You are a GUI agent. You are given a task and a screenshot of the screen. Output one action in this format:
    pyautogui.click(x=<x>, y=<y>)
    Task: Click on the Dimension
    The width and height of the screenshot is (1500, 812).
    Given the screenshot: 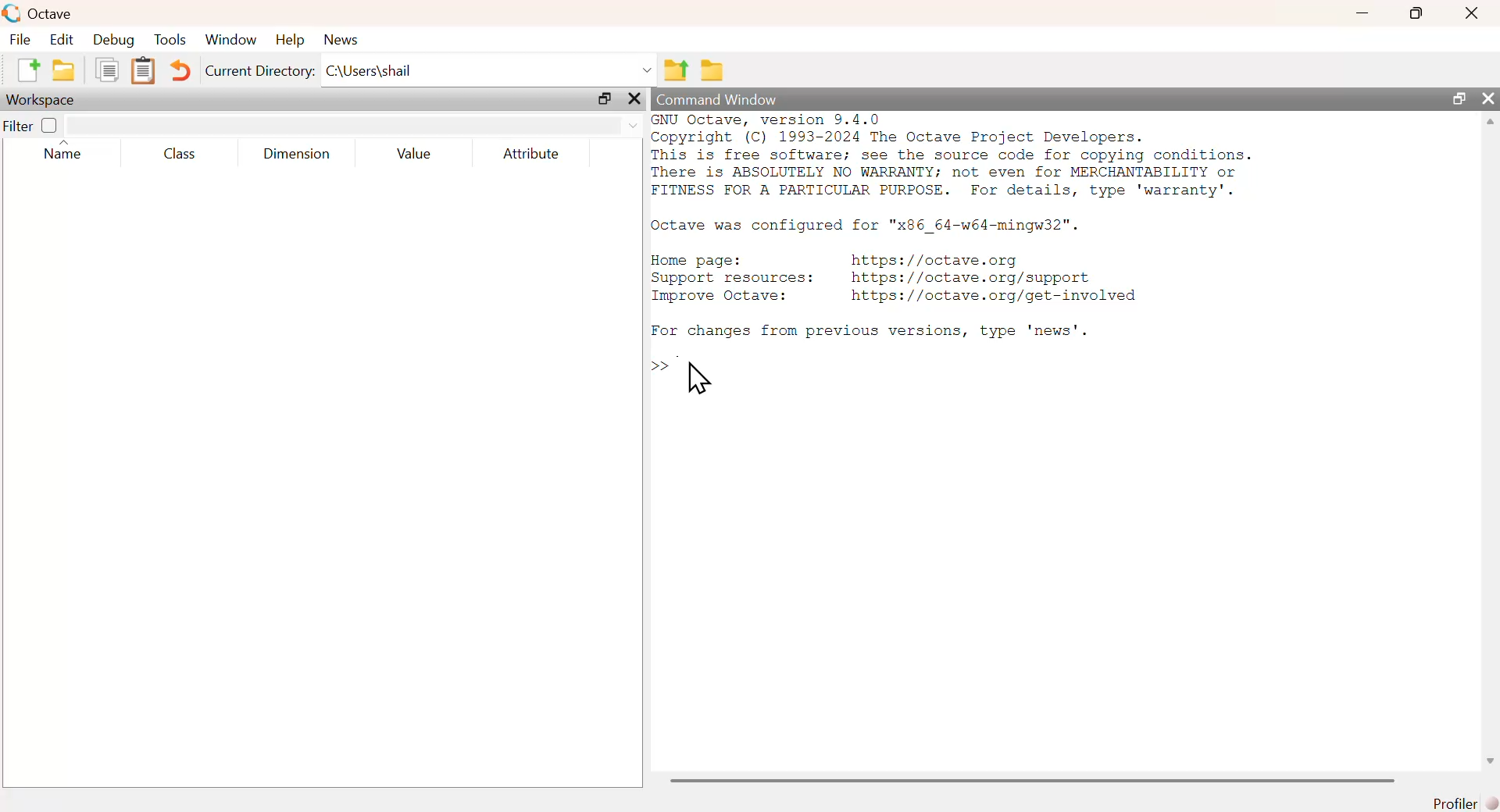 What is the action you would take?
    pyautogui.click(x=302, y=154)
    